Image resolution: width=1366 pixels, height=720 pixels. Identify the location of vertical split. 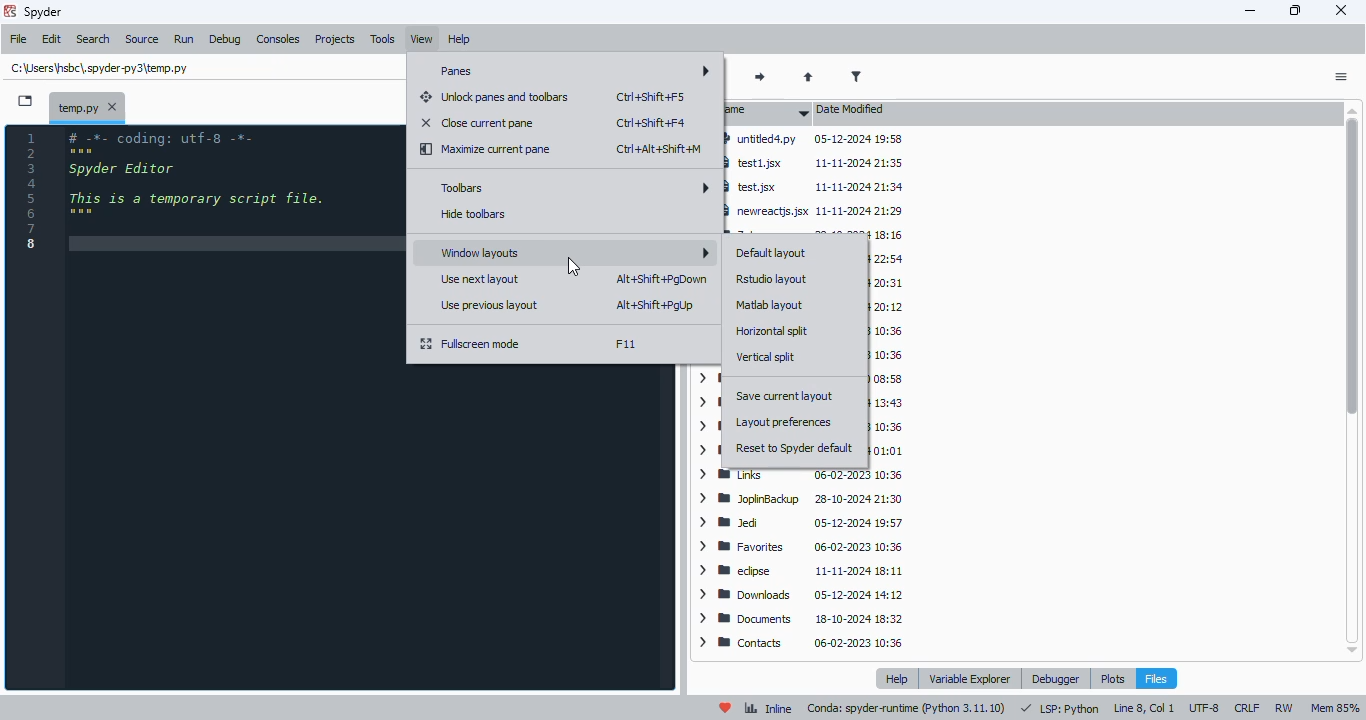
(766, 356).